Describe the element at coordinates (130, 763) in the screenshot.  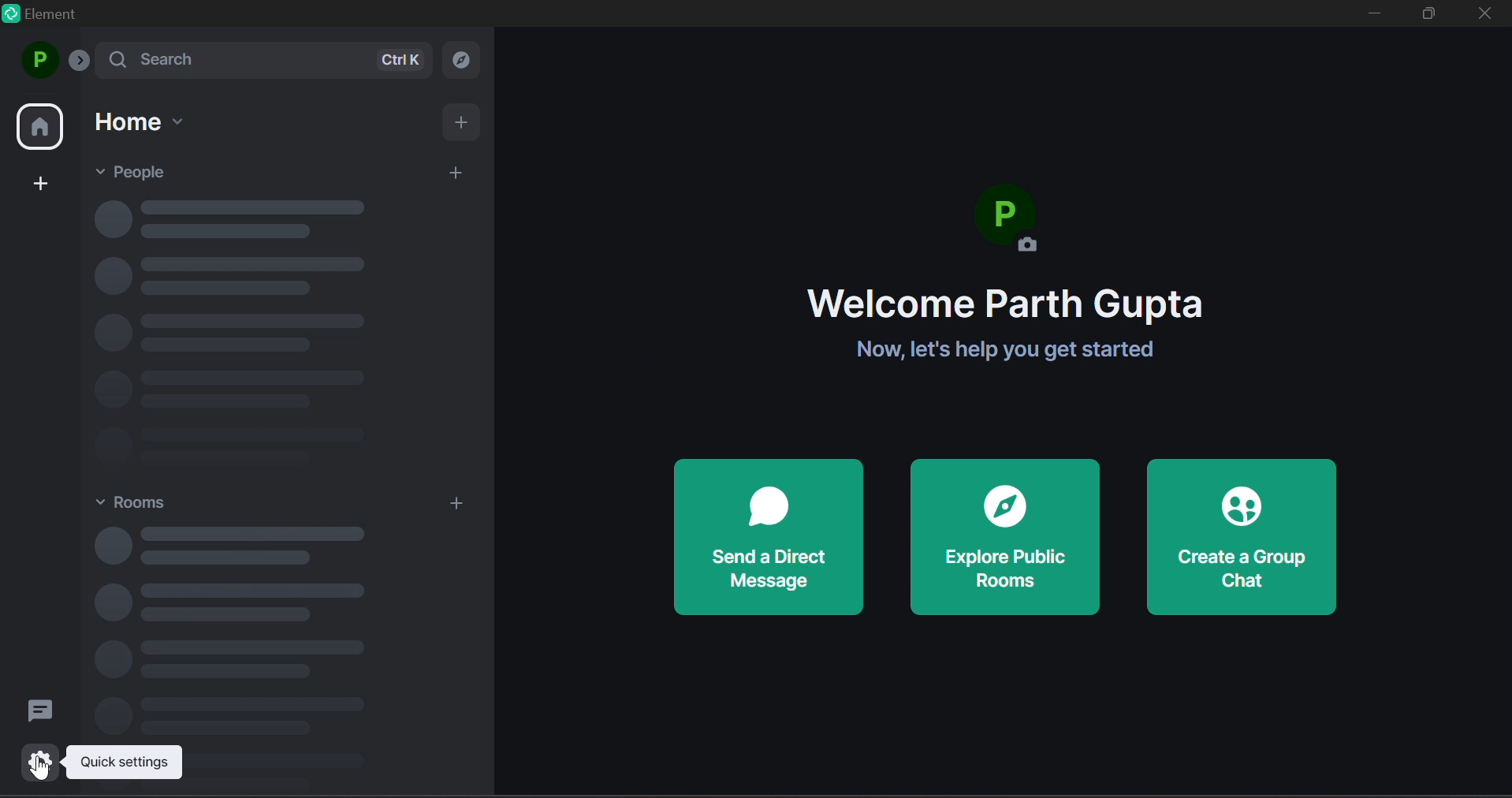
I see `quick settings` at that location.